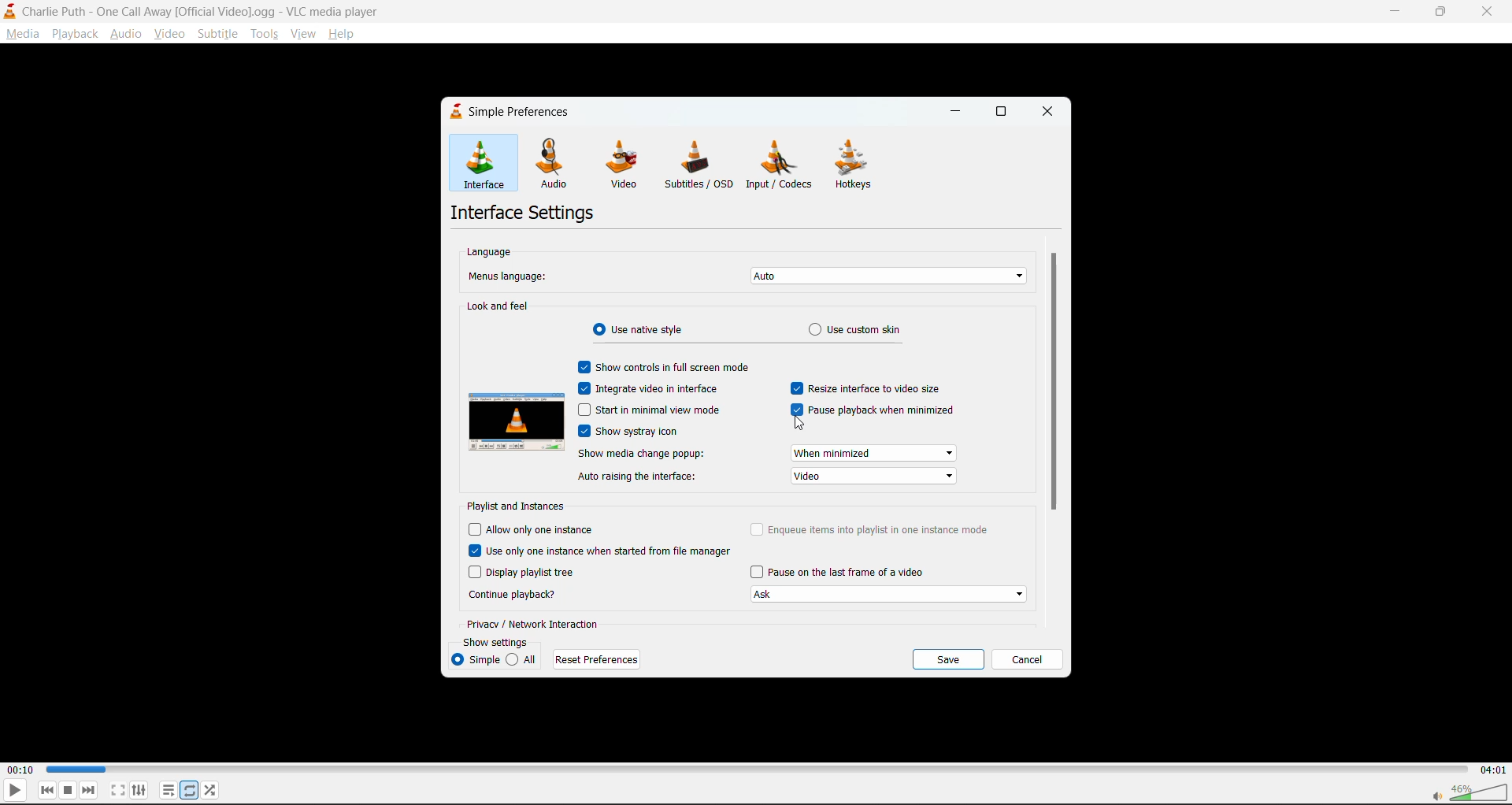  Describe the element at coordinates (172, 35) in the screenshot. I see `video` at that location.